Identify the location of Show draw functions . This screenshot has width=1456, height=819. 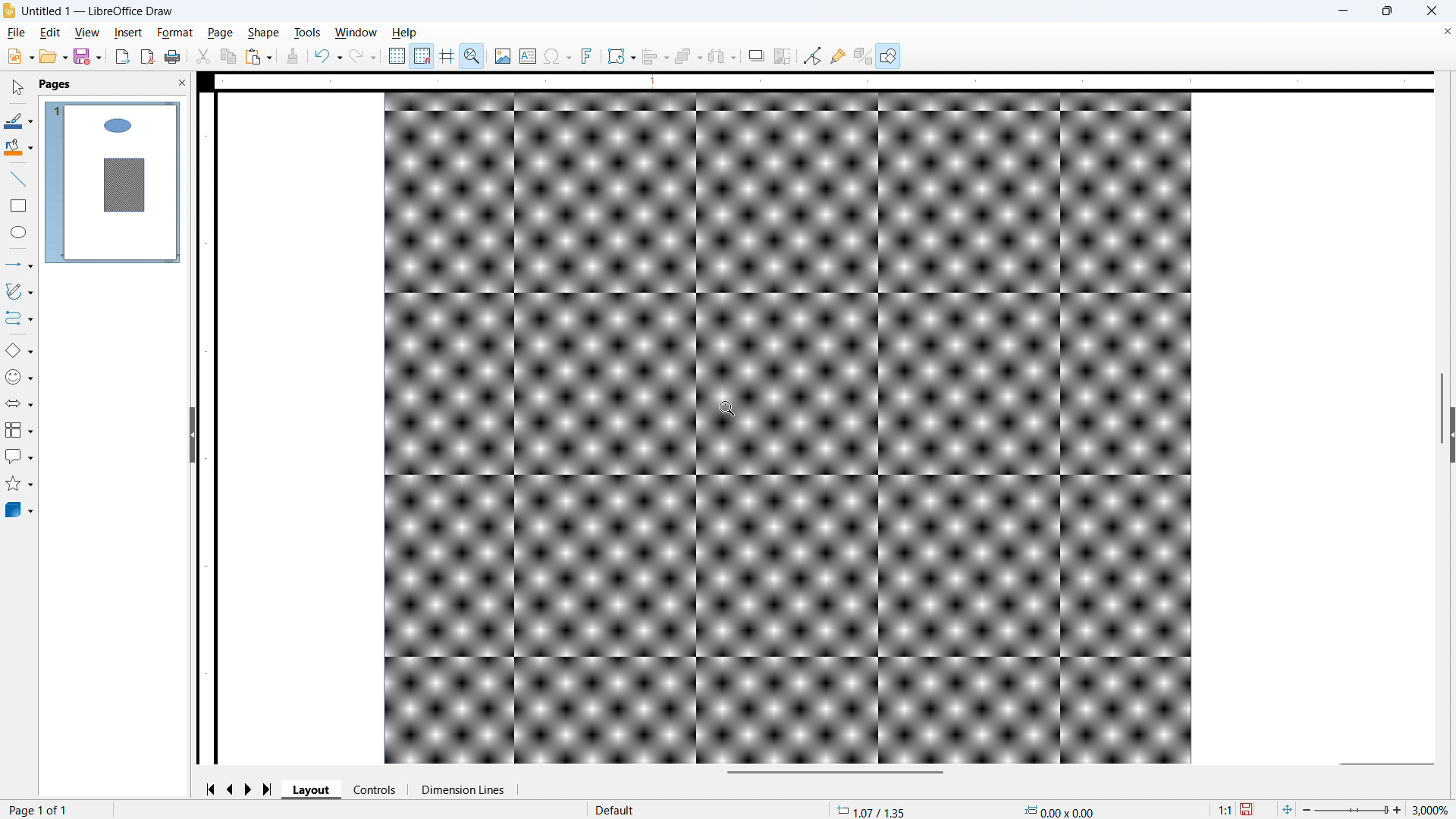
(888, 55).